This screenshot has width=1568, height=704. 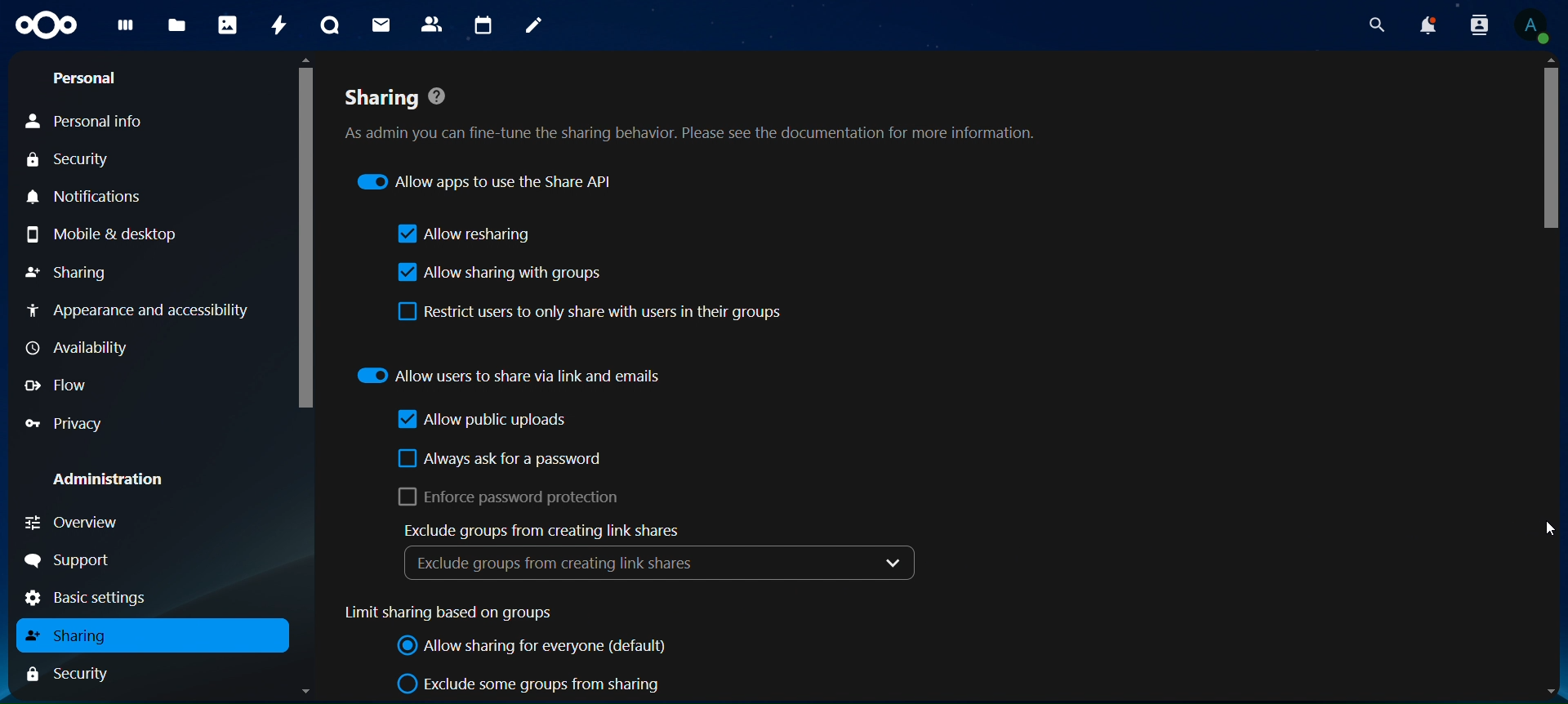 What do you see at coordinates (535, 28) in the screenshot?
I see `notes` at bounding box center [535, 28].